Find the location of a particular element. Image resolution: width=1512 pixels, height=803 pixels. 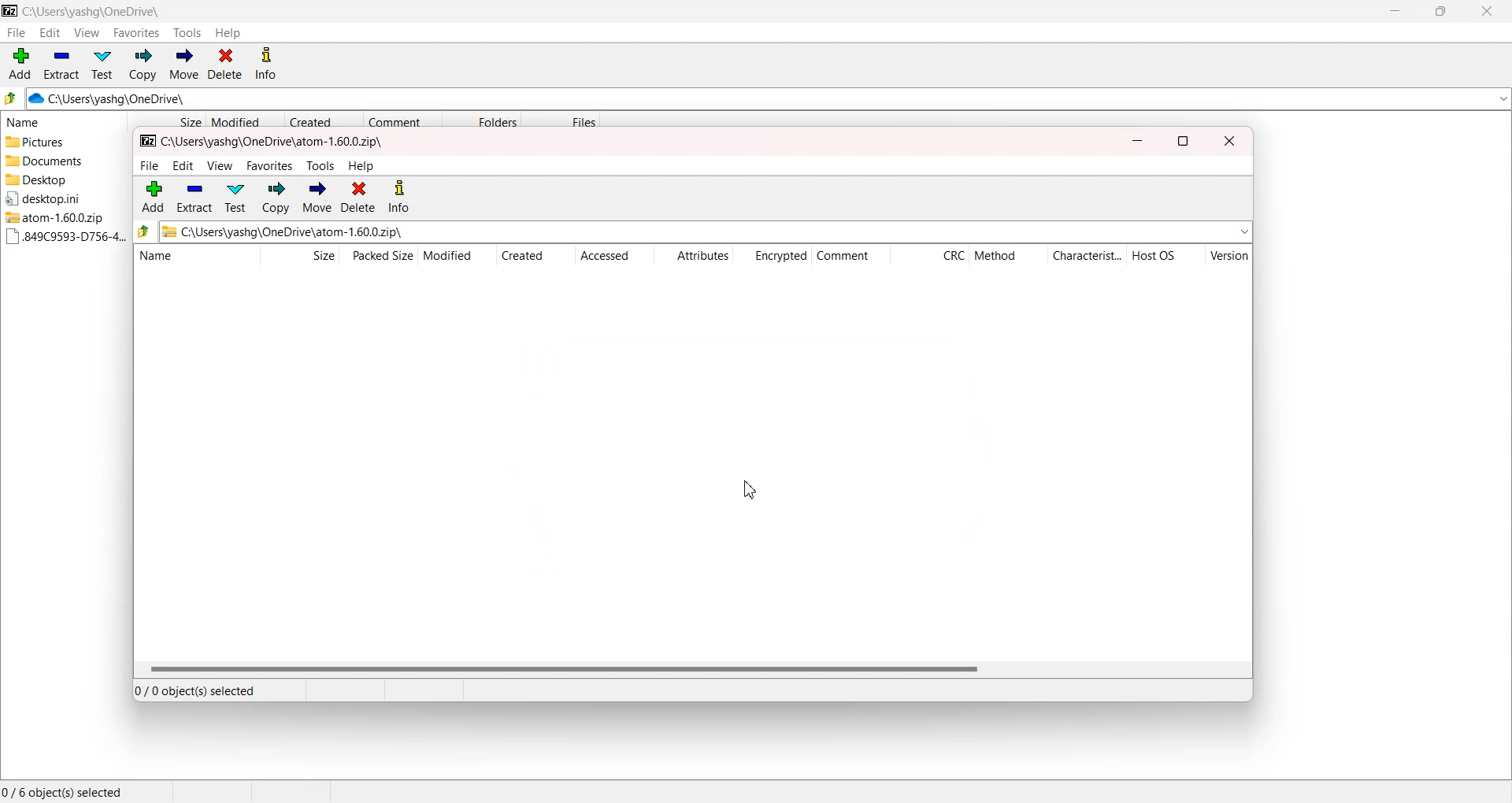

Method is located at coordinates (1007, 257).